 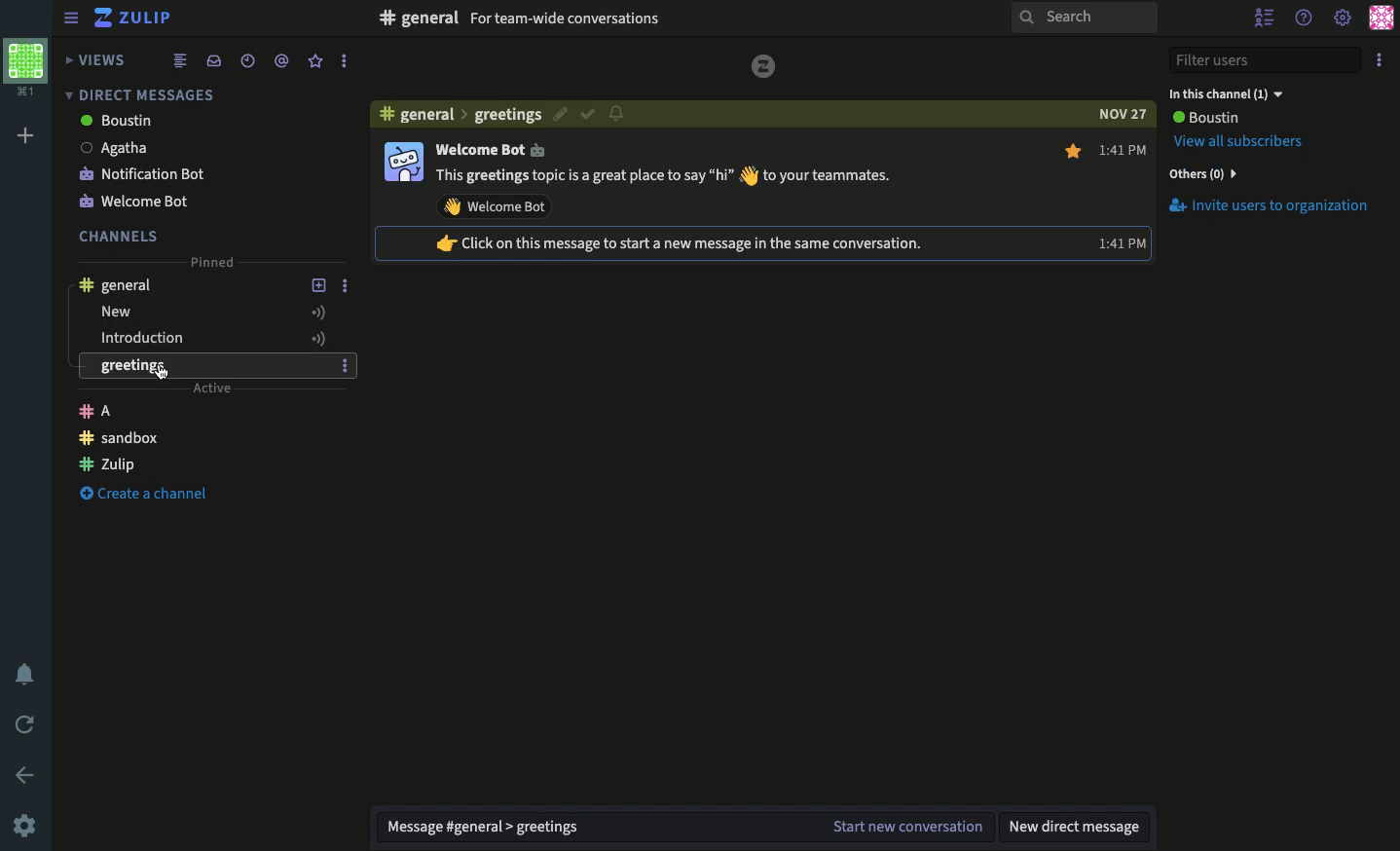 I want to click on #general, so click(x=414, y=114).